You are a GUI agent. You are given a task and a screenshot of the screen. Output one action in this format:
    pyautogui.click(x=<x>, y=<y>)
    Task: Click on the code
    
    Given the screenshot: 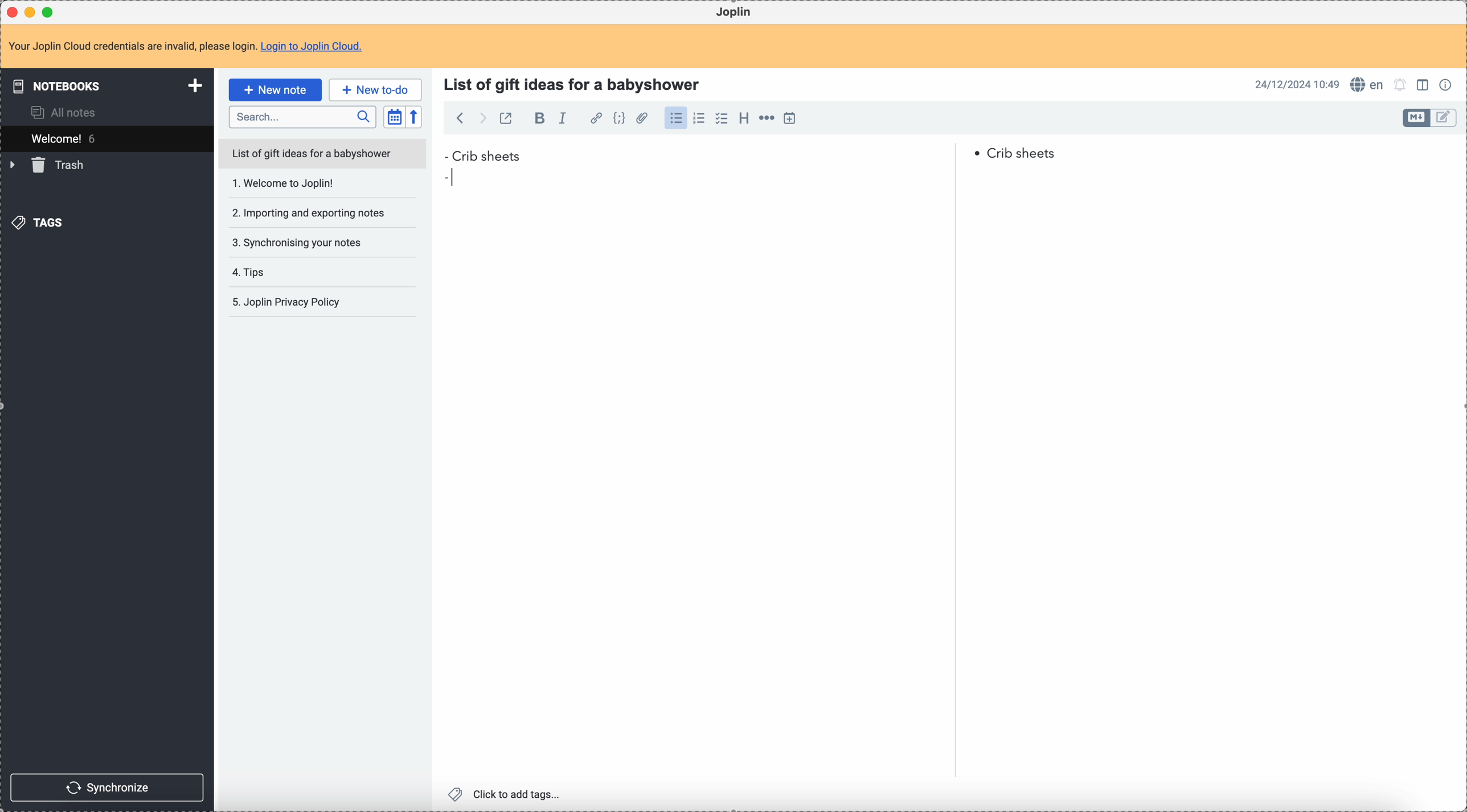 What is the action you would take?
    pyautogui.click(x=621, y=119)
    